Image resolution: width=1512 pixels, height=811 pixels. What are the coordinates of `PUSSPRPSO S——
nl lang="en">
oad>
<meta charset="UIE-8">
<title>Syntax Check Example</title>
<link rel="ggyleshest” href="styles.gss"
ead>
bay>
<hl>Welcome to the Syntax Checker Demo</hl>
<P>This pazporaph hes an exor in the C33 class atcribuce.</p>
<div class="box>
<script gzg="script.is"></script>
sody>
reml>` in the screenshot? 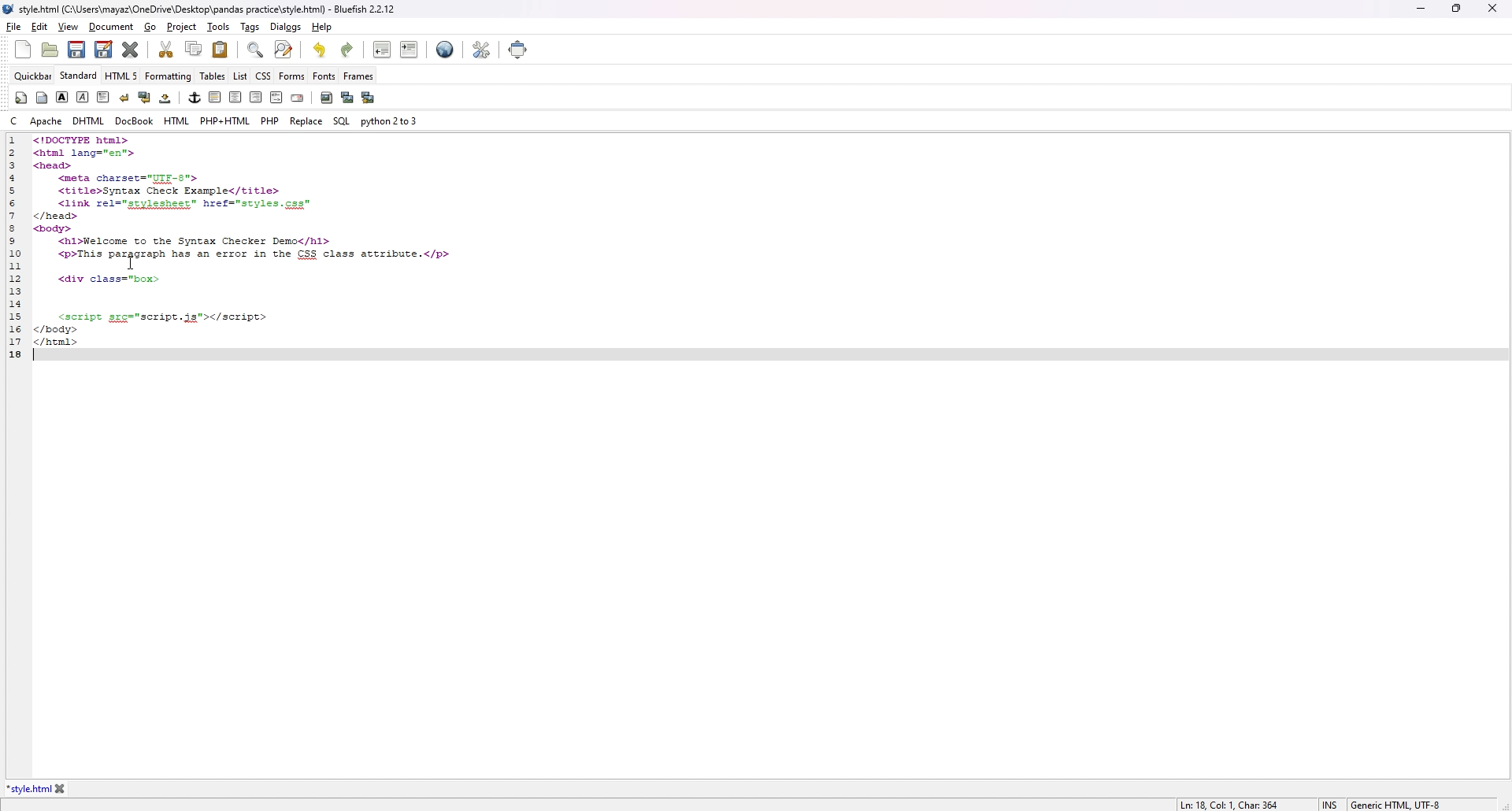 It's located at (245, 243).